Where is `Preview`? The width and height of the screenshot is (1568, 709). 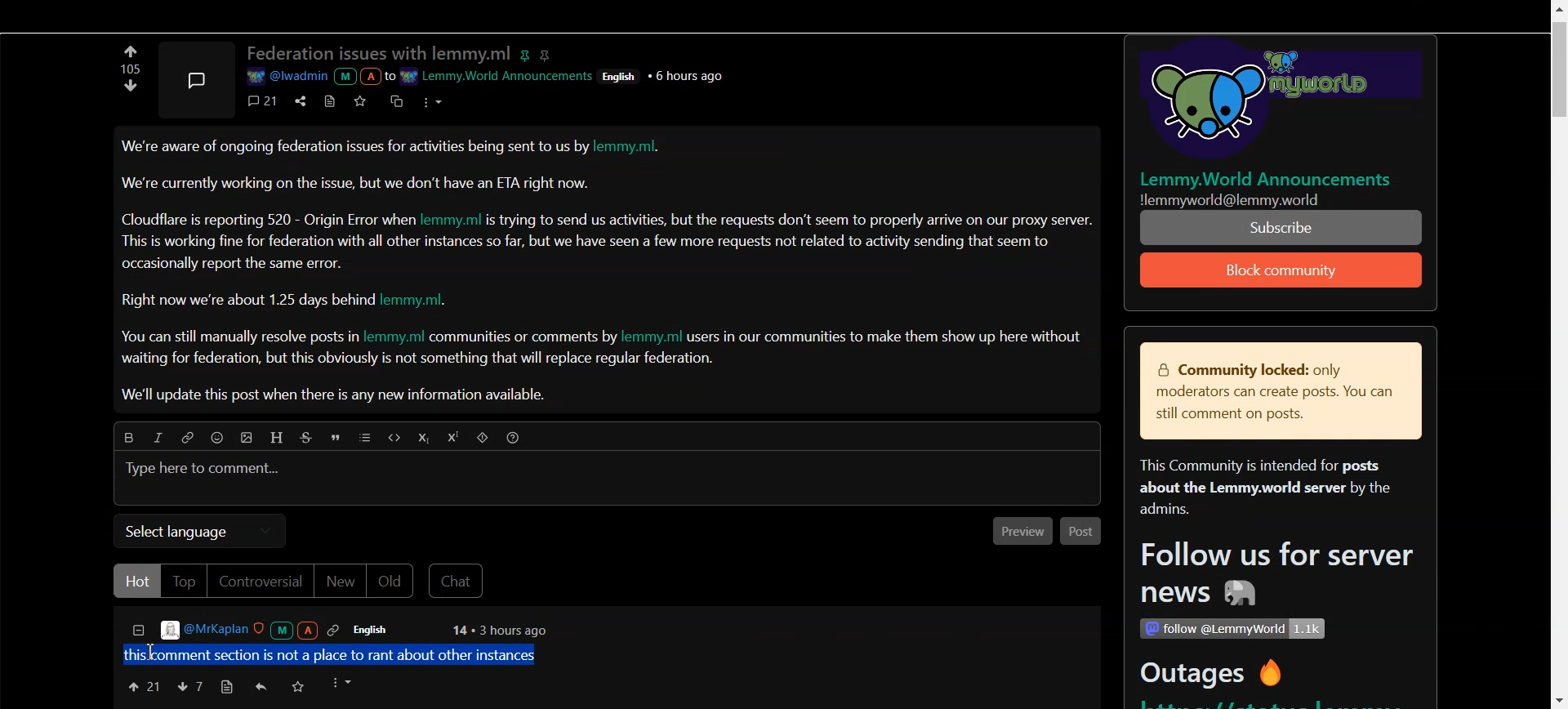
Preview is located at coordinates (1018, 533).